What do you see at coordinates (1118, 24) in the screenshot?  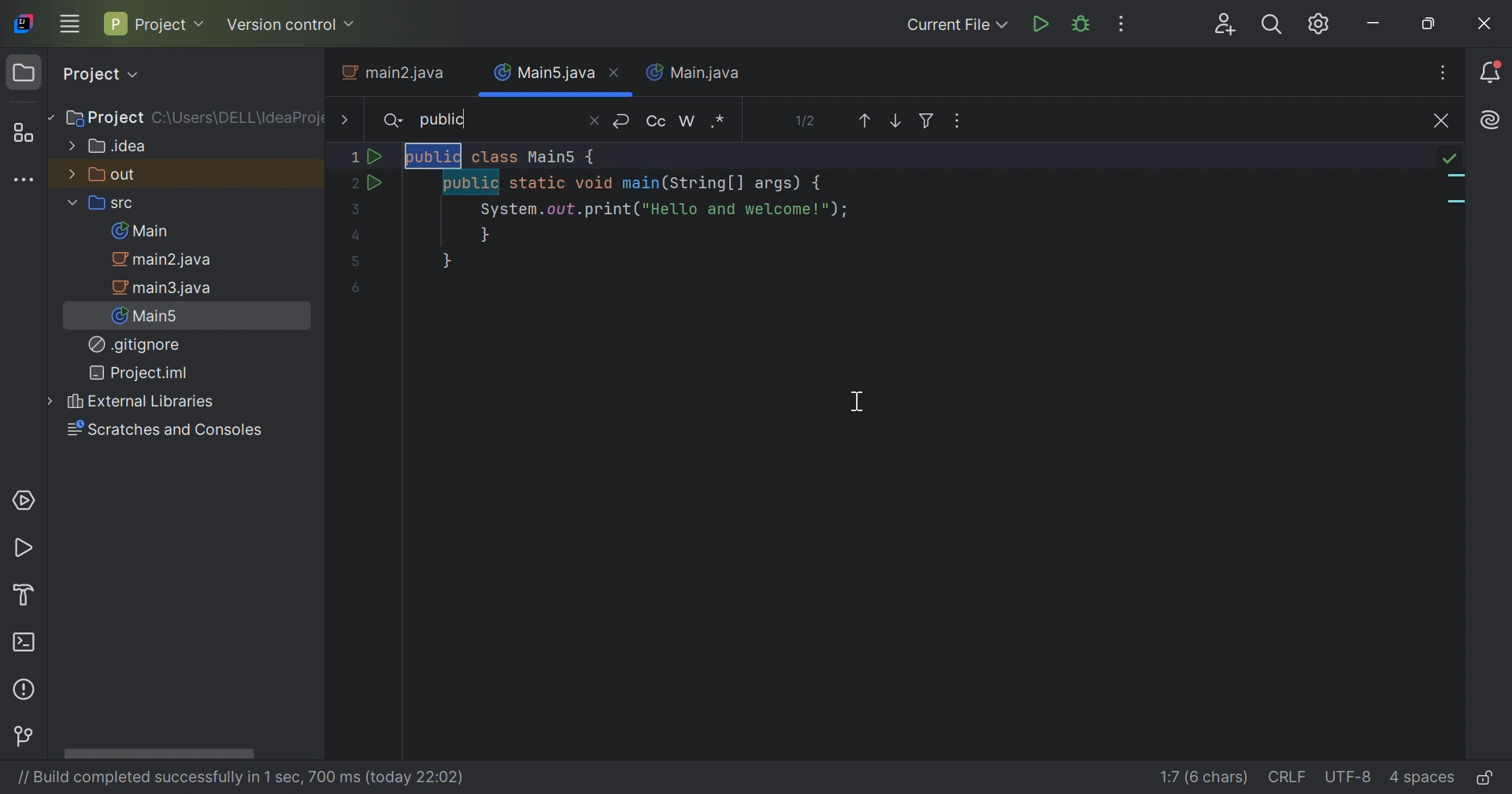 I see `More Actions` at bounding box center [1118, 24].